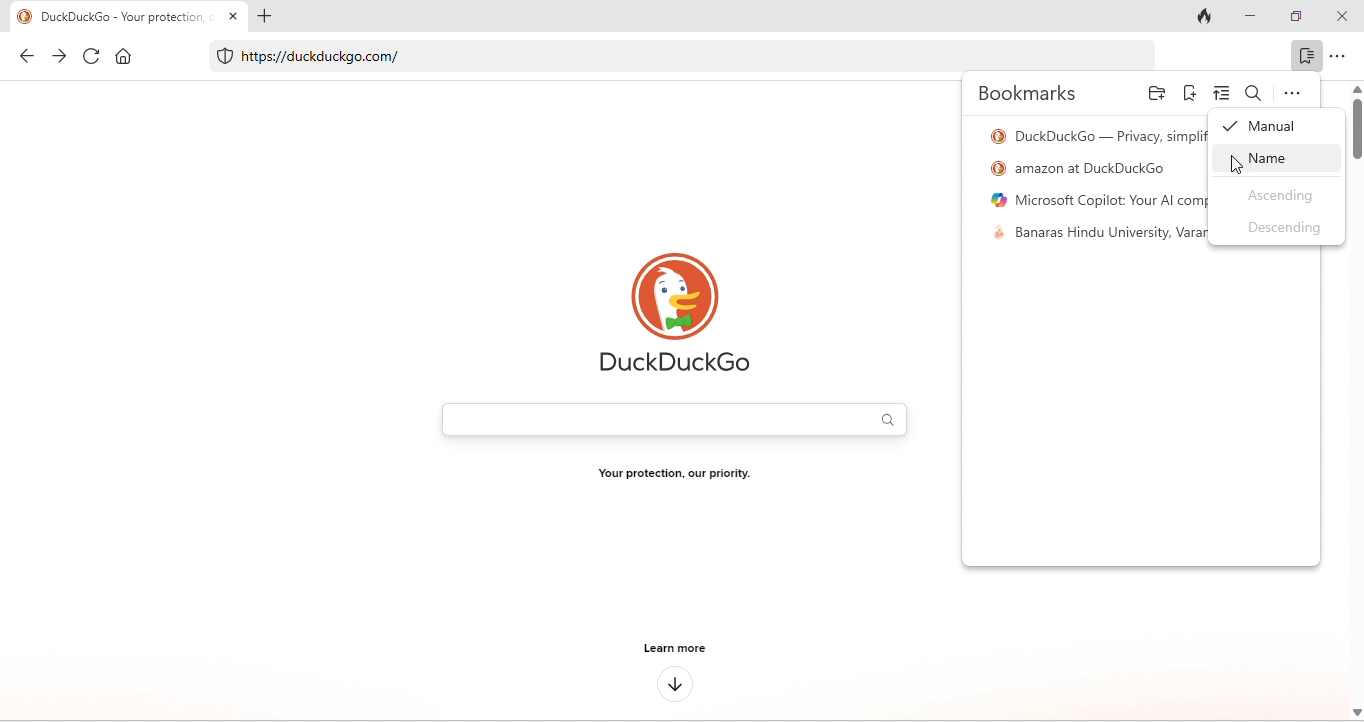 The width and height of the screenshot is (1364, 722). Describe the element at coordinates (1095, 135) in the screenshot. I see `duck duck go- privacy simplified` at that location.